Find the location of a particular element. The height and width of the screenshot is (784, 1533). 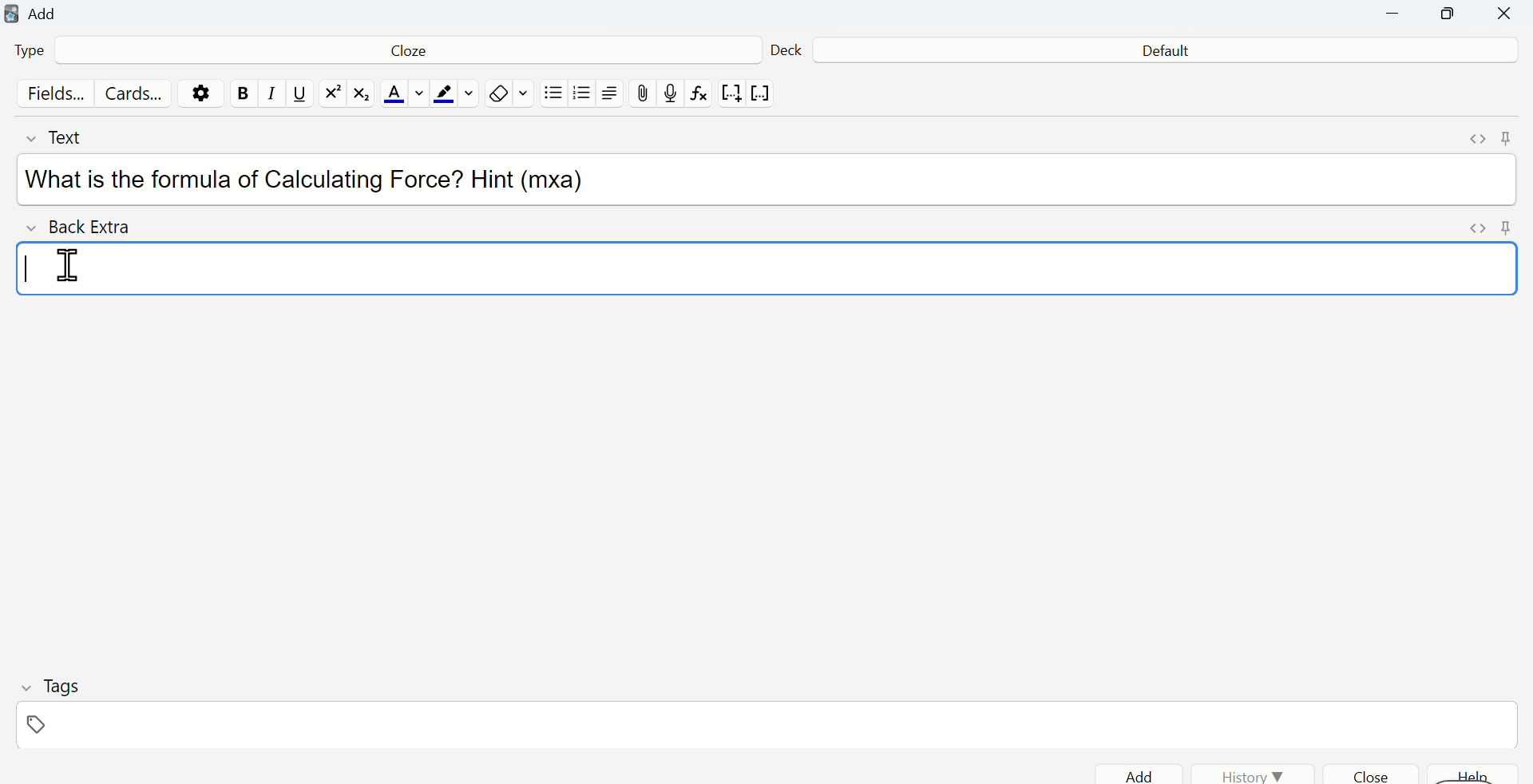

Eraser is located at coordinates (509, 94).